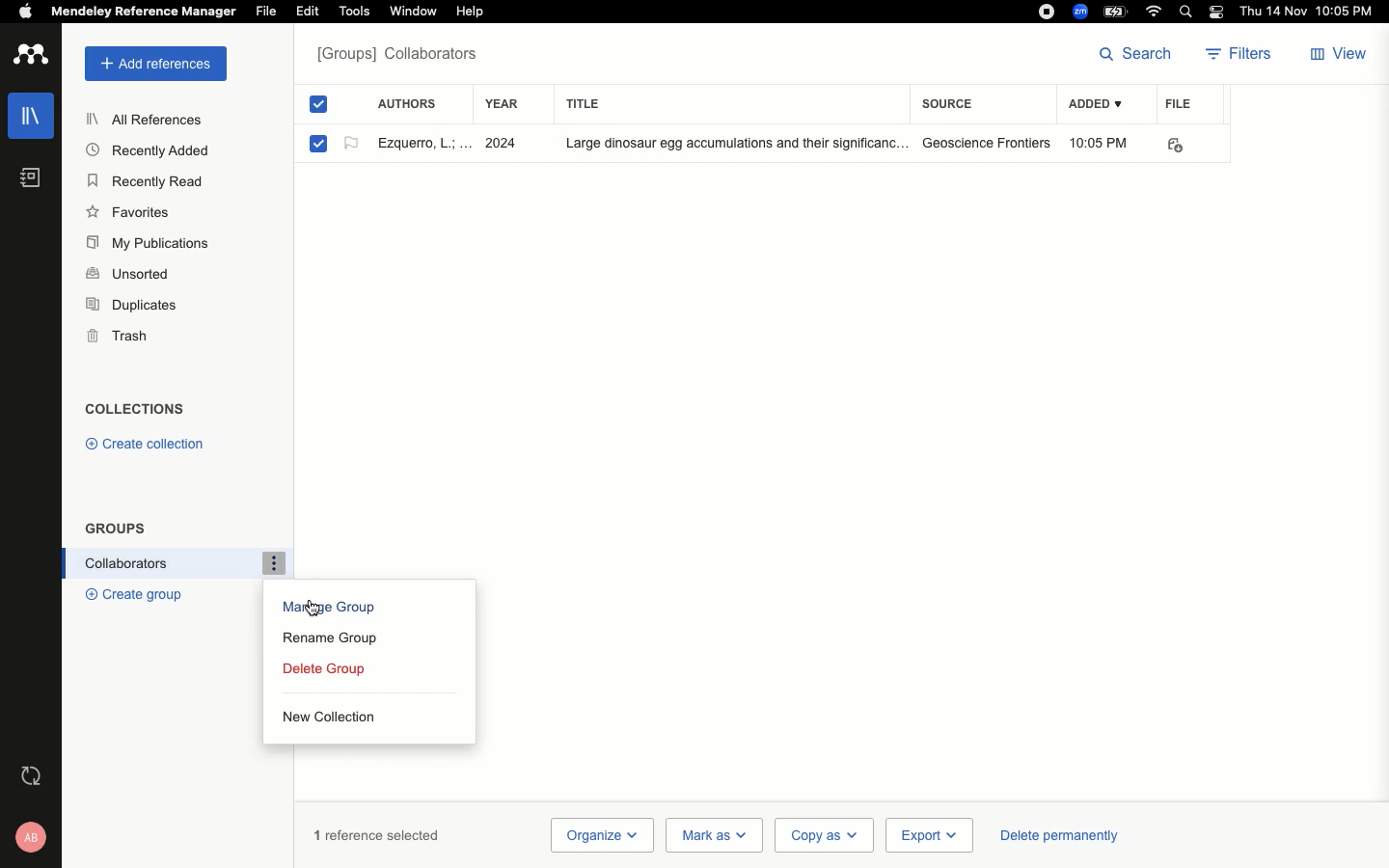  I want to click on Date/time, so click(1311, 12).